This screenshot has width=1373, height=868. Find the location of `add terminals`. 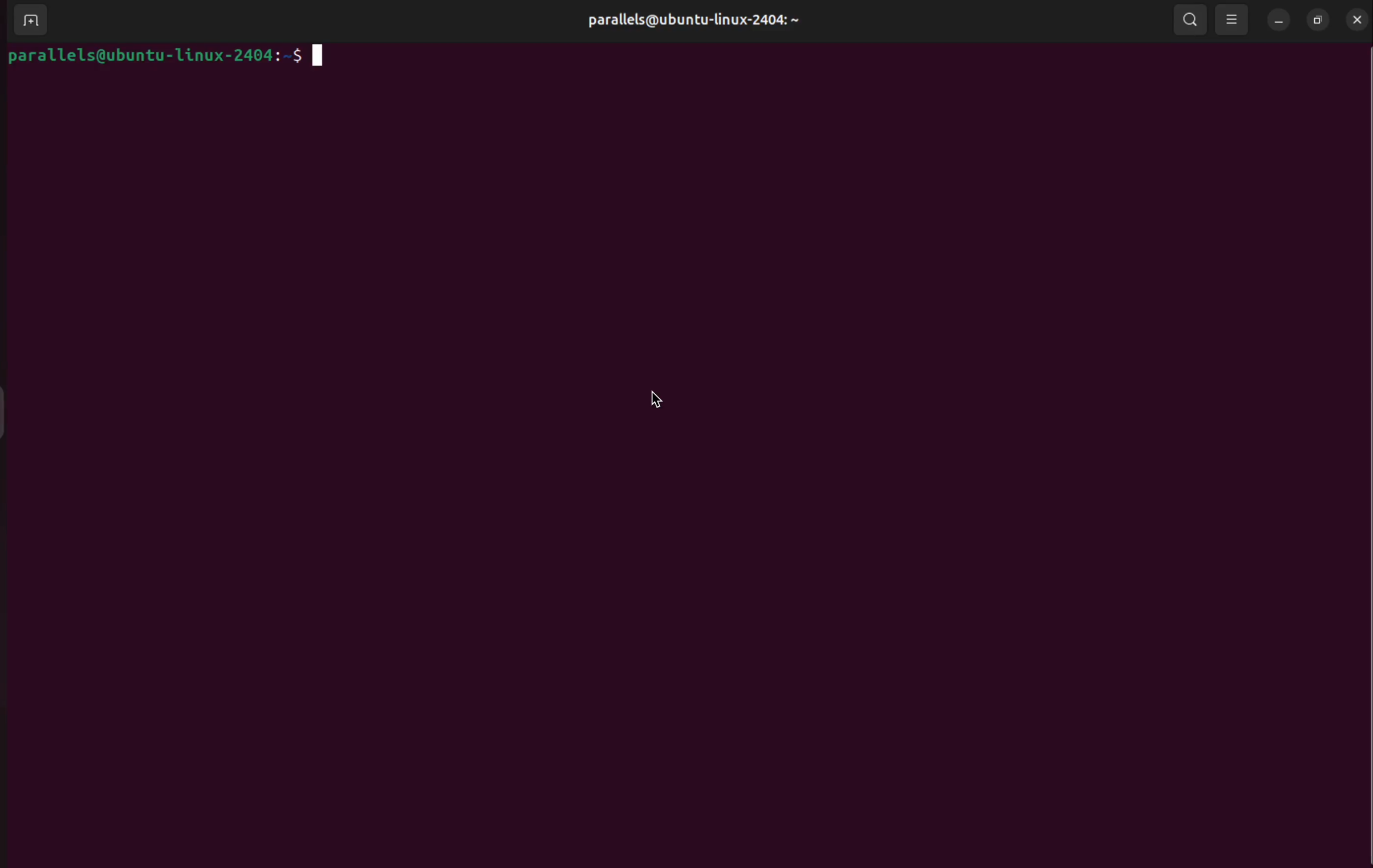

add terminals is located at coordinates (29, 20).